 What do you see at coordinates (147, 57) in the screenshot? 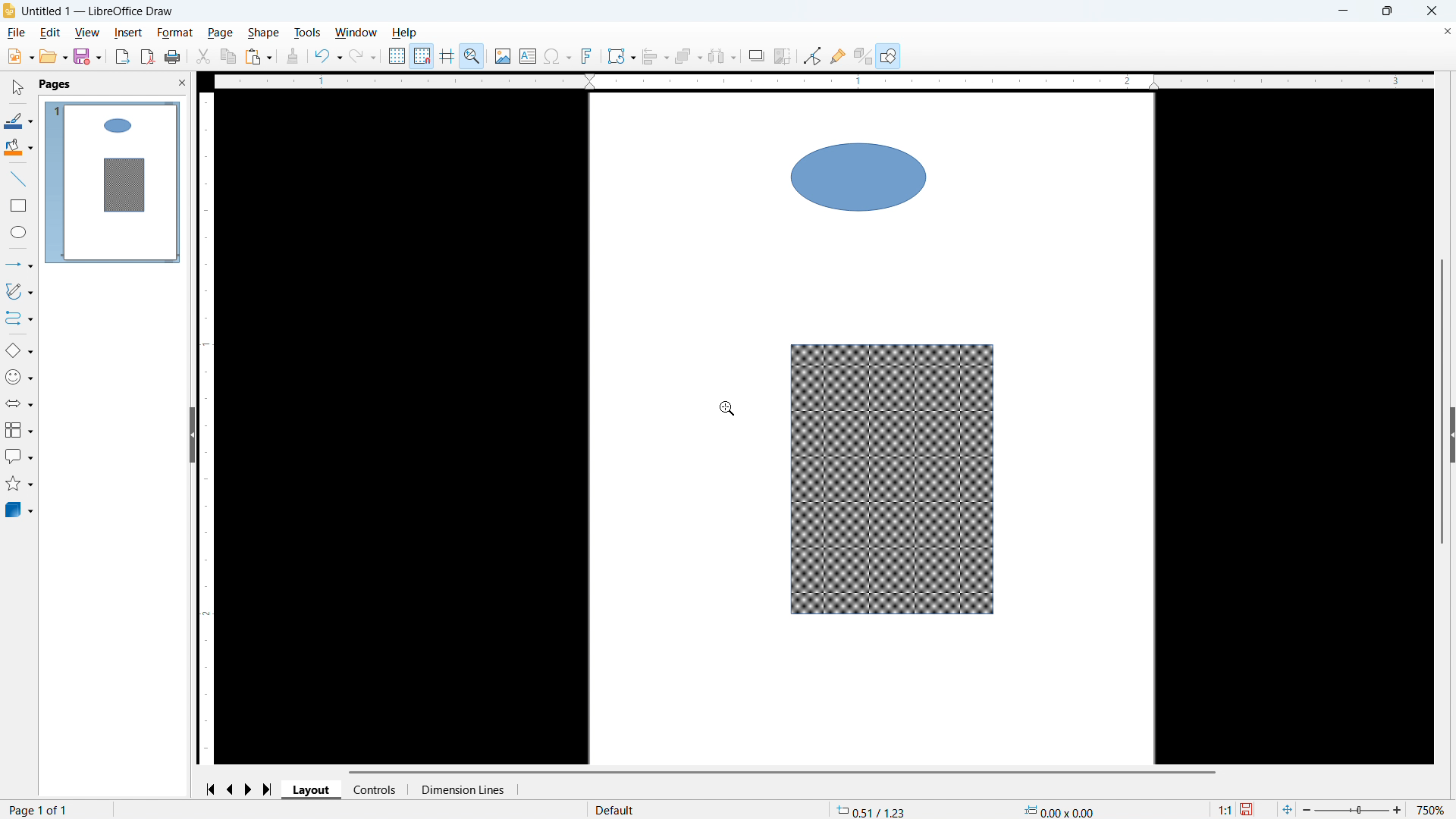
I see `Export as PDF ` at bounding box center [147, 57].